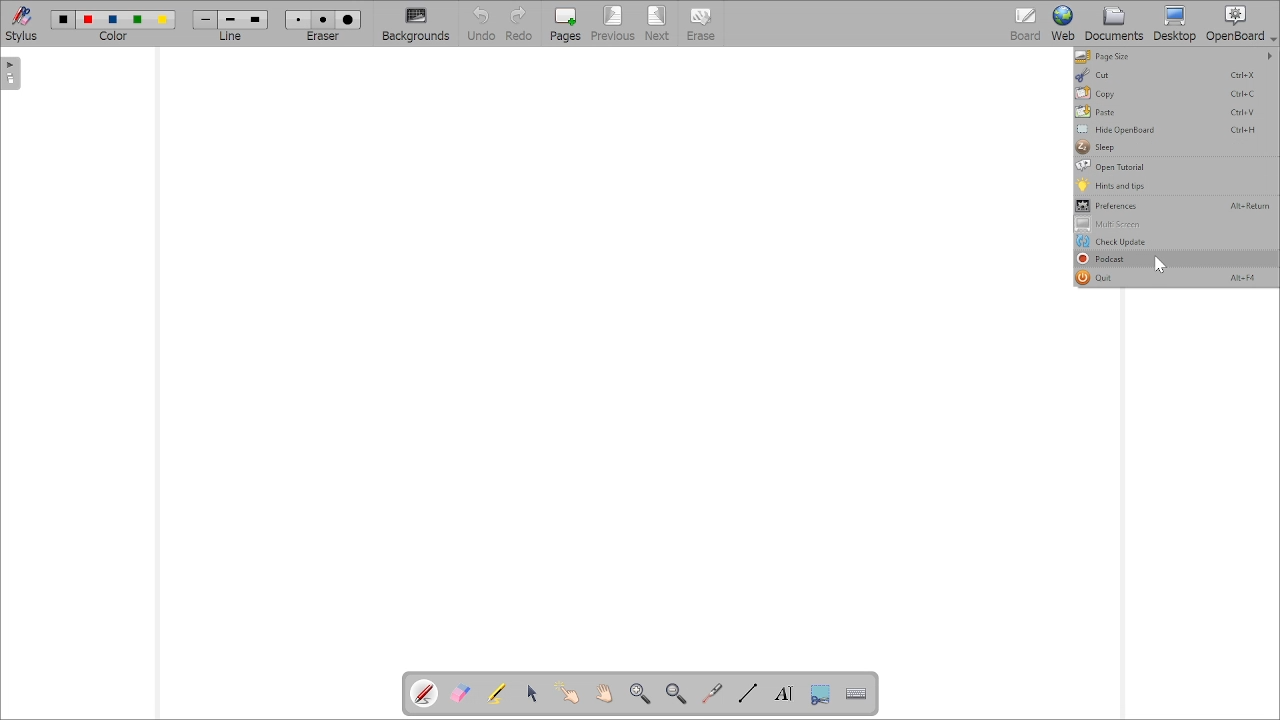 The image size is (1280, 720). What do you see at coordinates (229, 20) in the screenshot?
I see `line2` at bounding box center [229, 20].